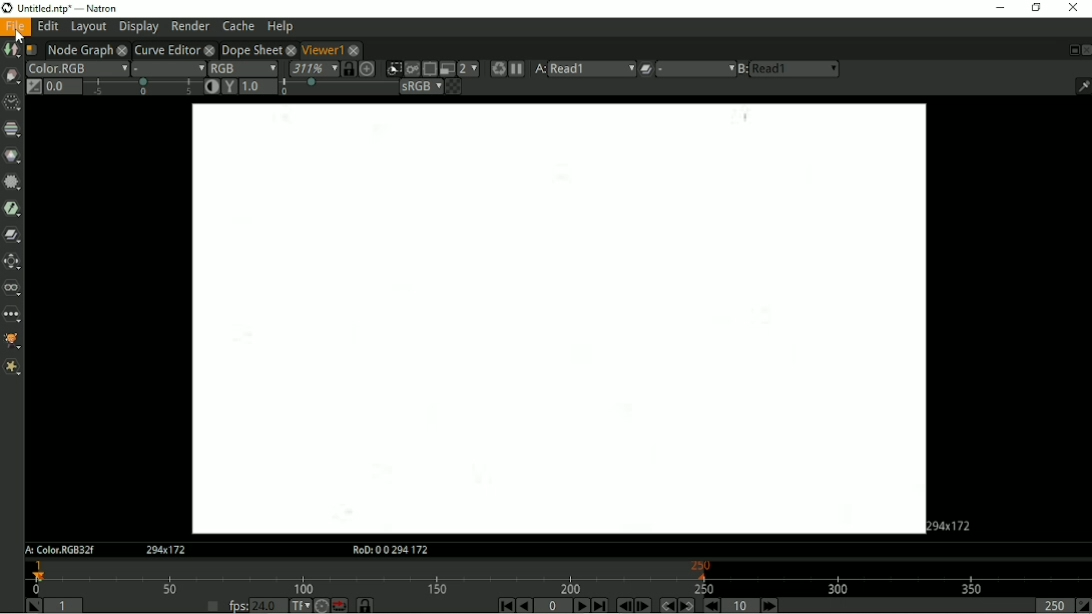 This screenshot has height=614, width=1092. Describe the element at coordinates (168, 68) in the screenshot. I see `Alpha channel` at that location.